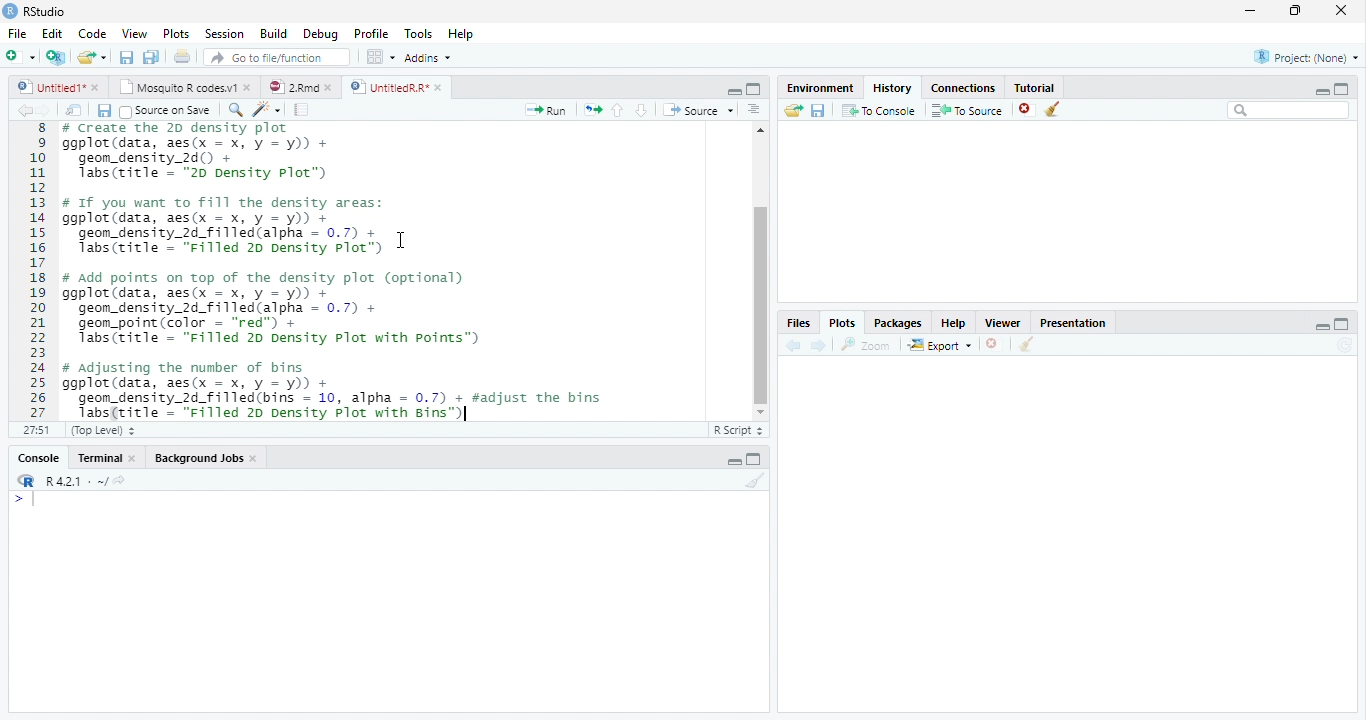 This screenshot has height=720, width=1366. What do you see at coordinates (460, 35) in the screenshot?
I see `Help` at bounding box center [460, 35].